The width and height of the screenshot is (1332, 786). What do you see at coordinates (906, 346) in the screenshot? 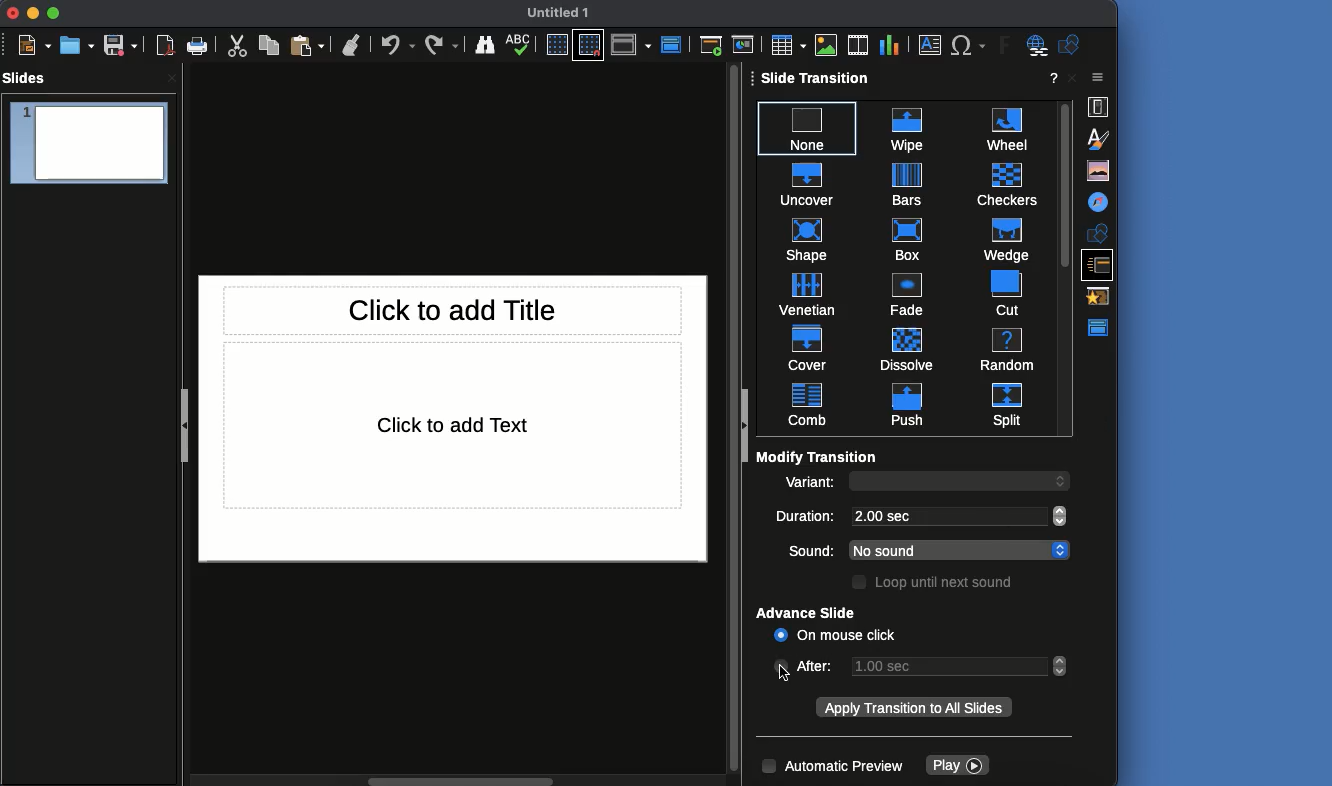
I see `dissolve` at bounding box center [906, 346].